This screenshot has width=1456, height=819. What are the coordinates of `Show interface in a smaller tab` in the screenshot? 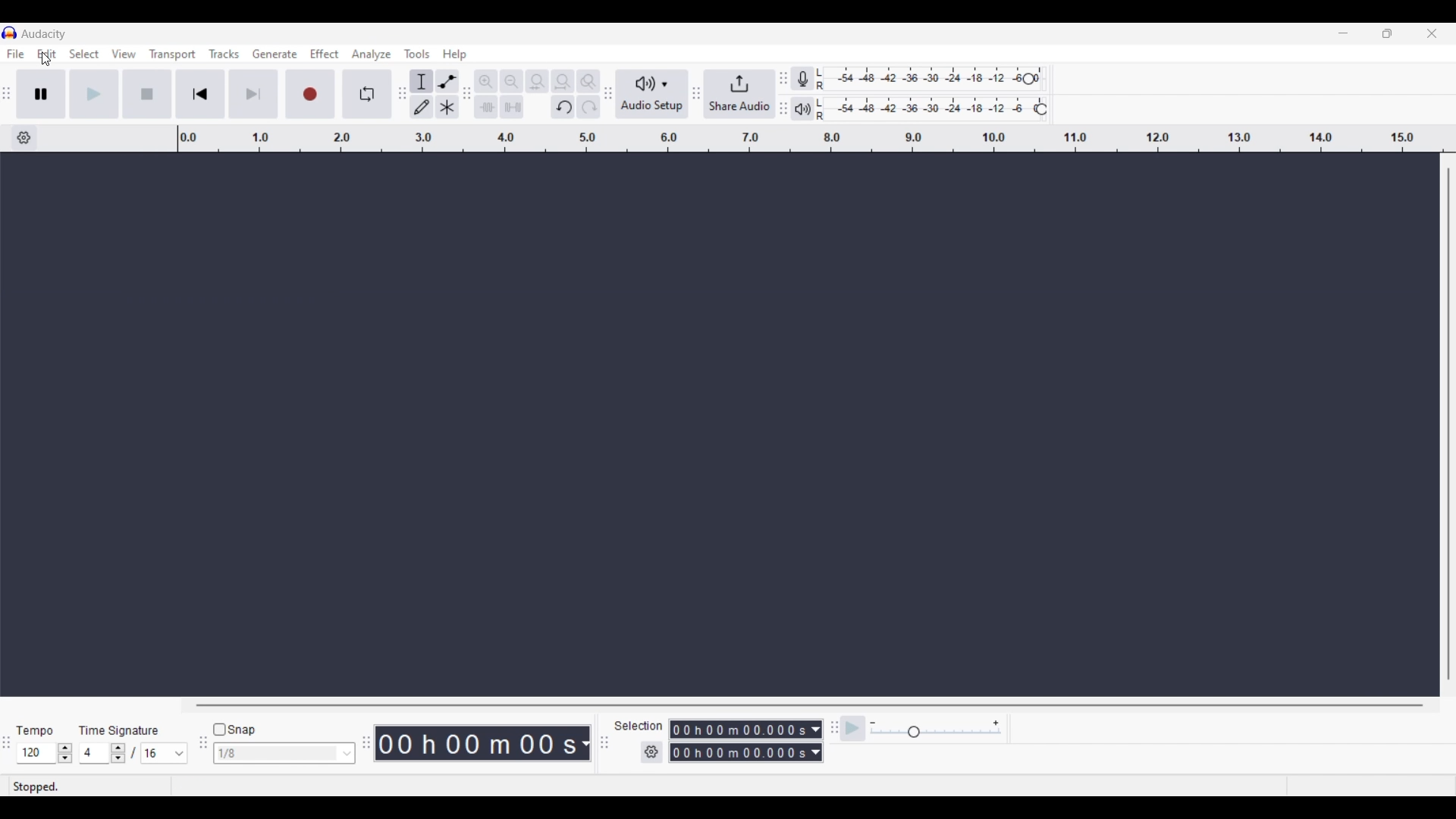 It's located at (1387, 33).